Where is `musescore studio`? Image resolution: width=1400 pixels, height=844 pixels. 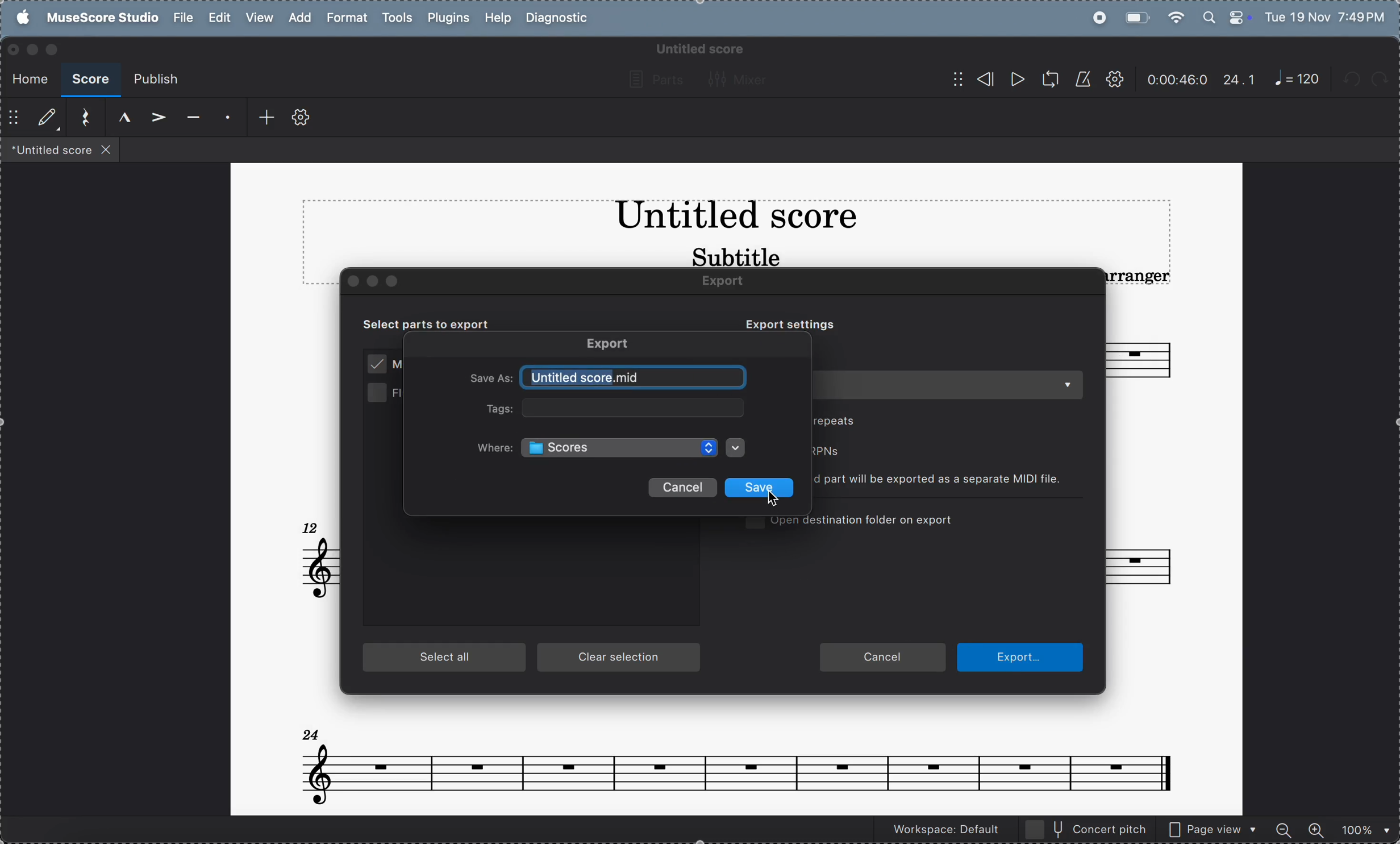
musescore studio is located at coordinates (99, 18).